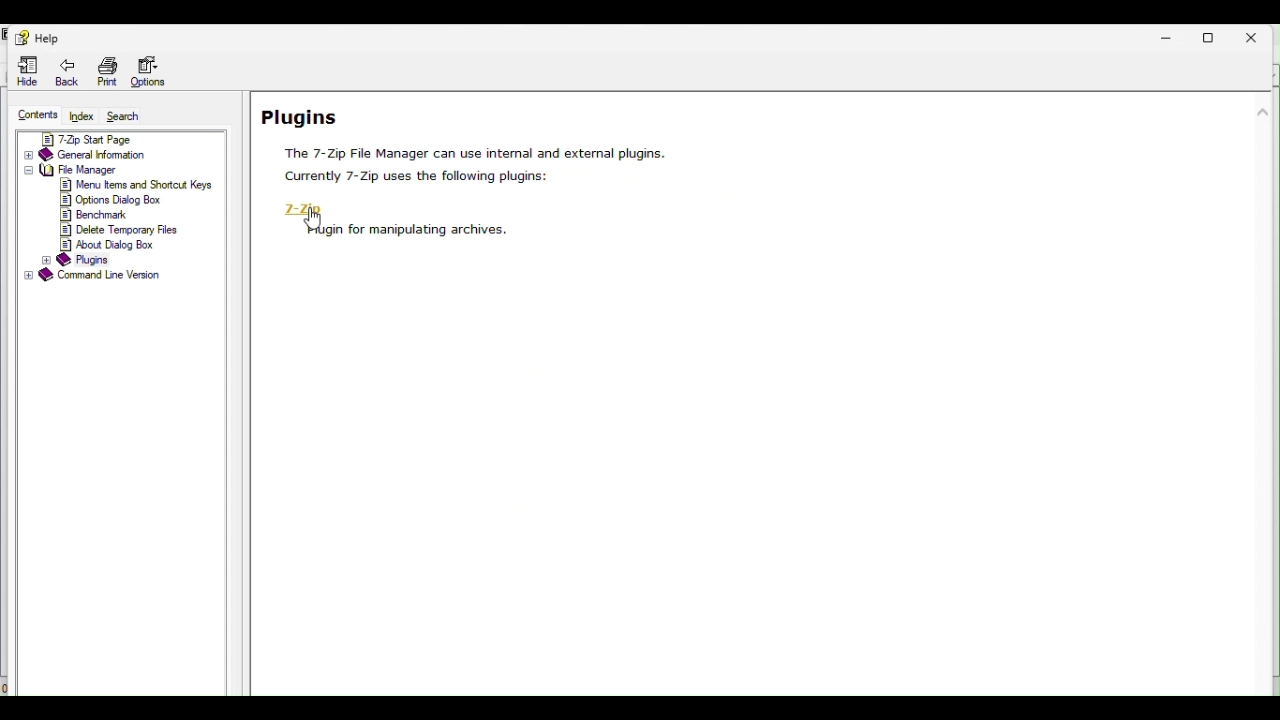 Image resolution: width=1280 pixels, height=720 pixels. I want to click on Back, so click(70, 74).